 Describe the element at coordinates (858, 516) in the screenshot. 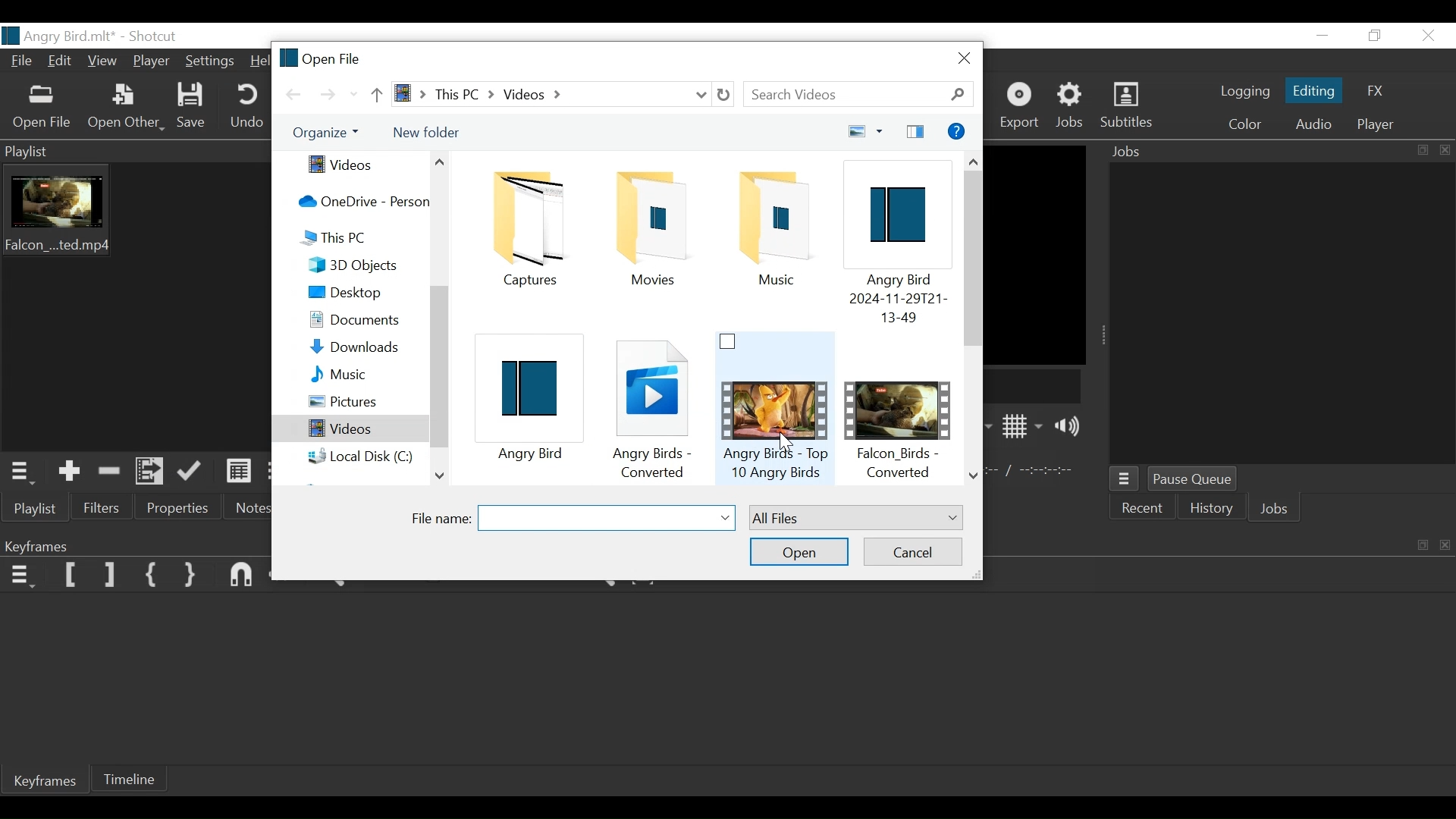

I see `Select File TYPE` at that location.